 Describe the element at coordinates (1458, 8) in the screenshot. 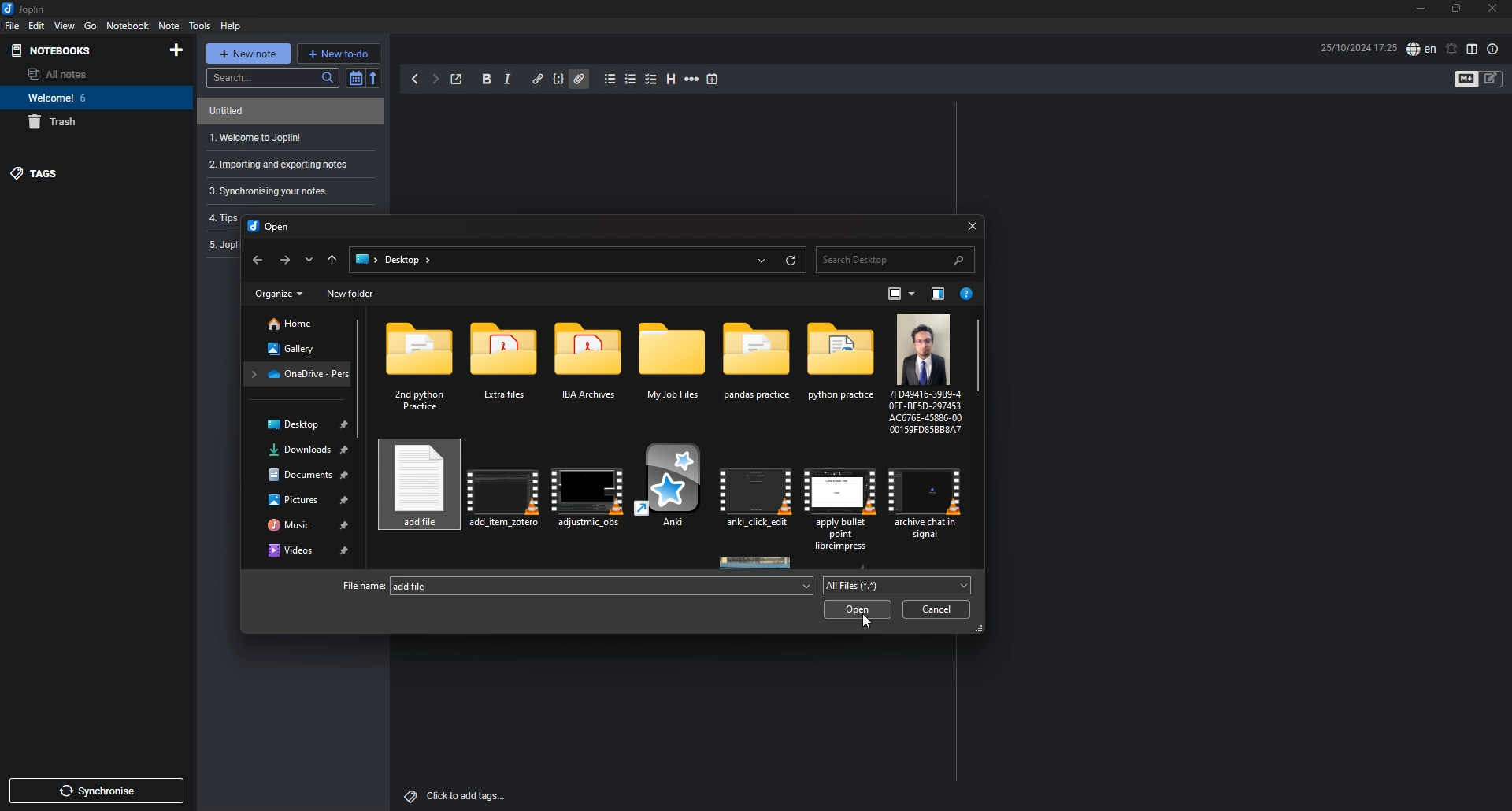

I see `resize` at that location.